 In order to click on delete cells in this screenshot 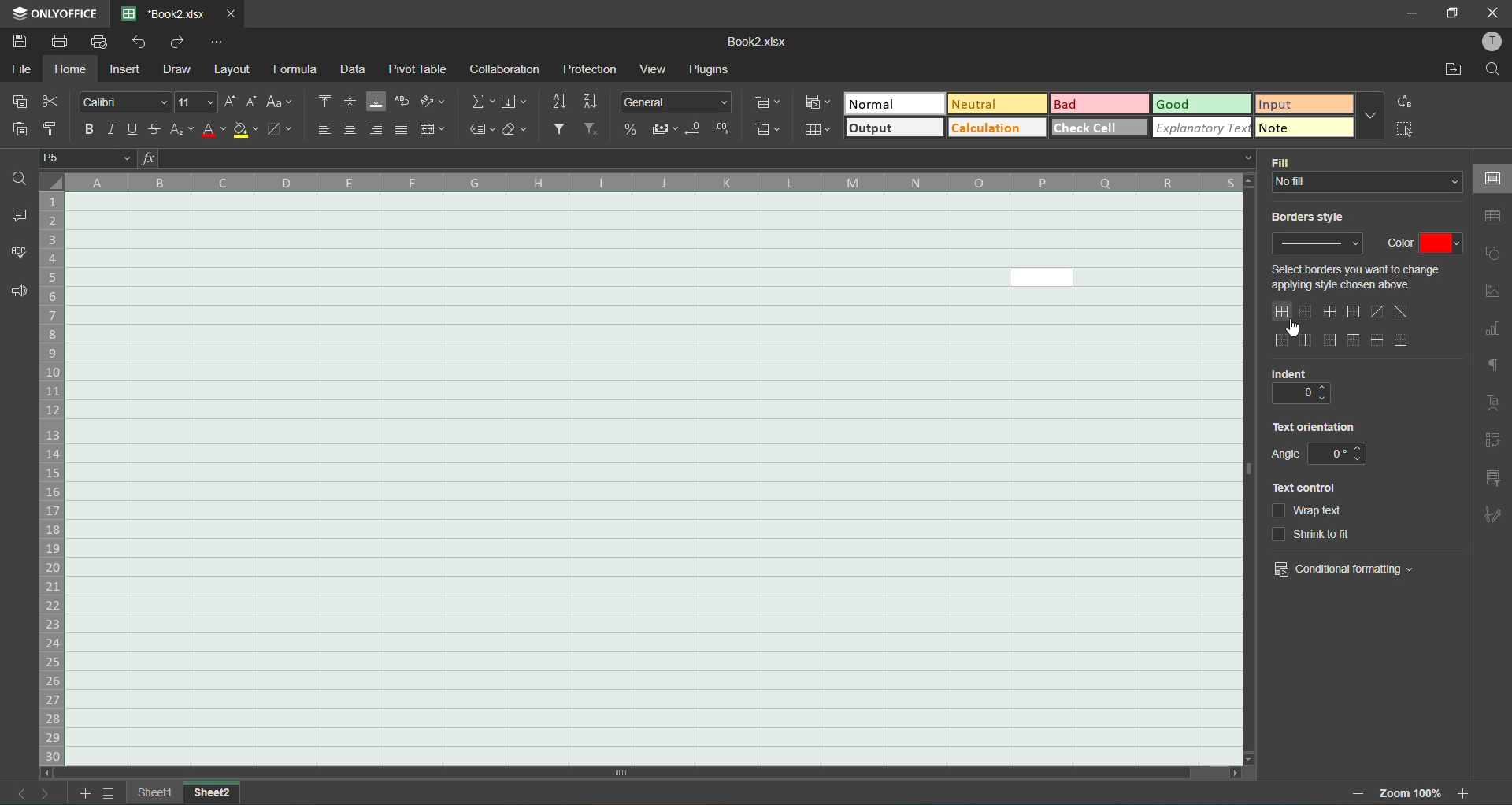, I will do `click(764, 132)`.